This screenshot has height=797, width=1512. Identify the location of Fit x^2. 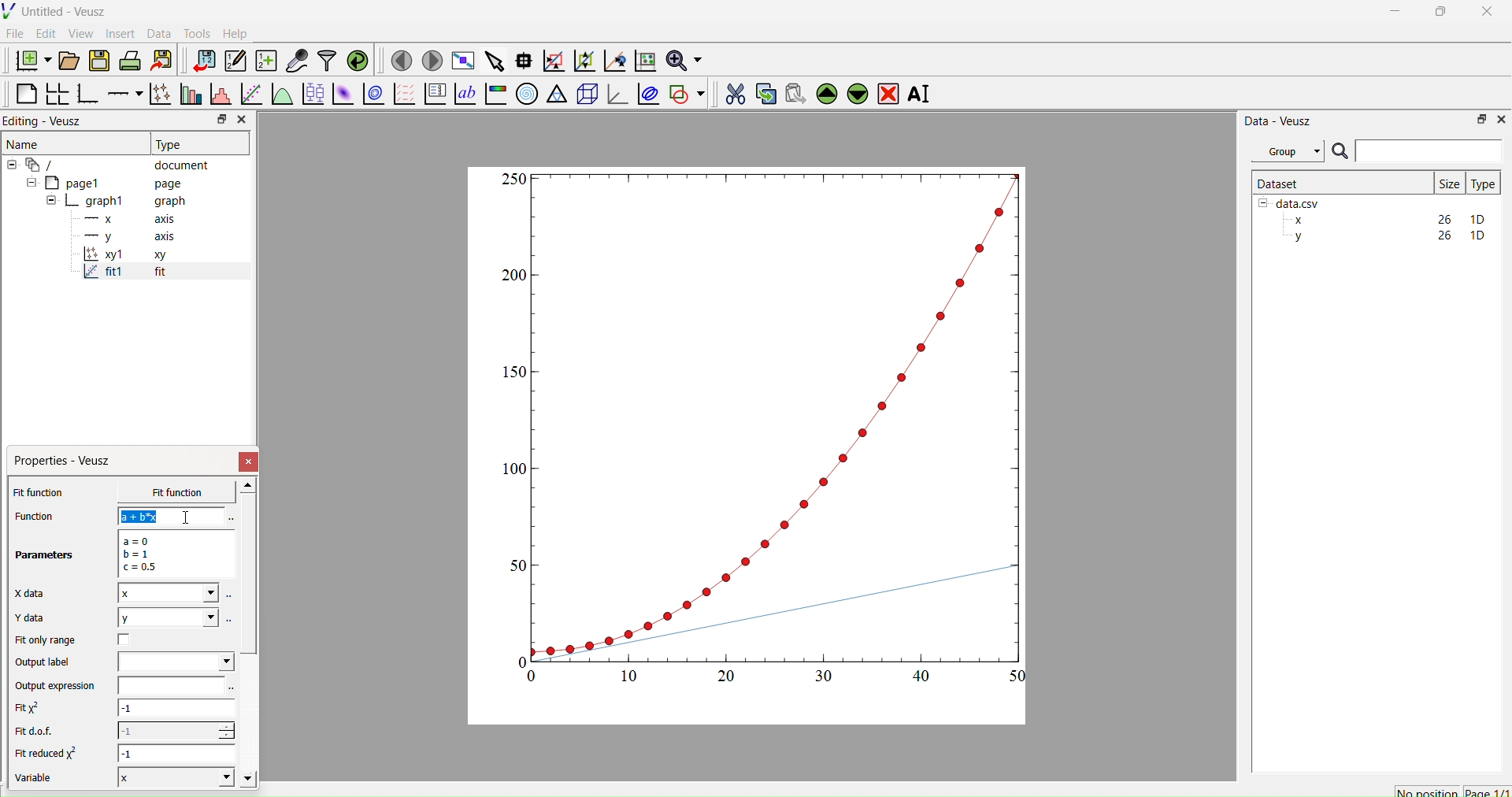
(35, 708).